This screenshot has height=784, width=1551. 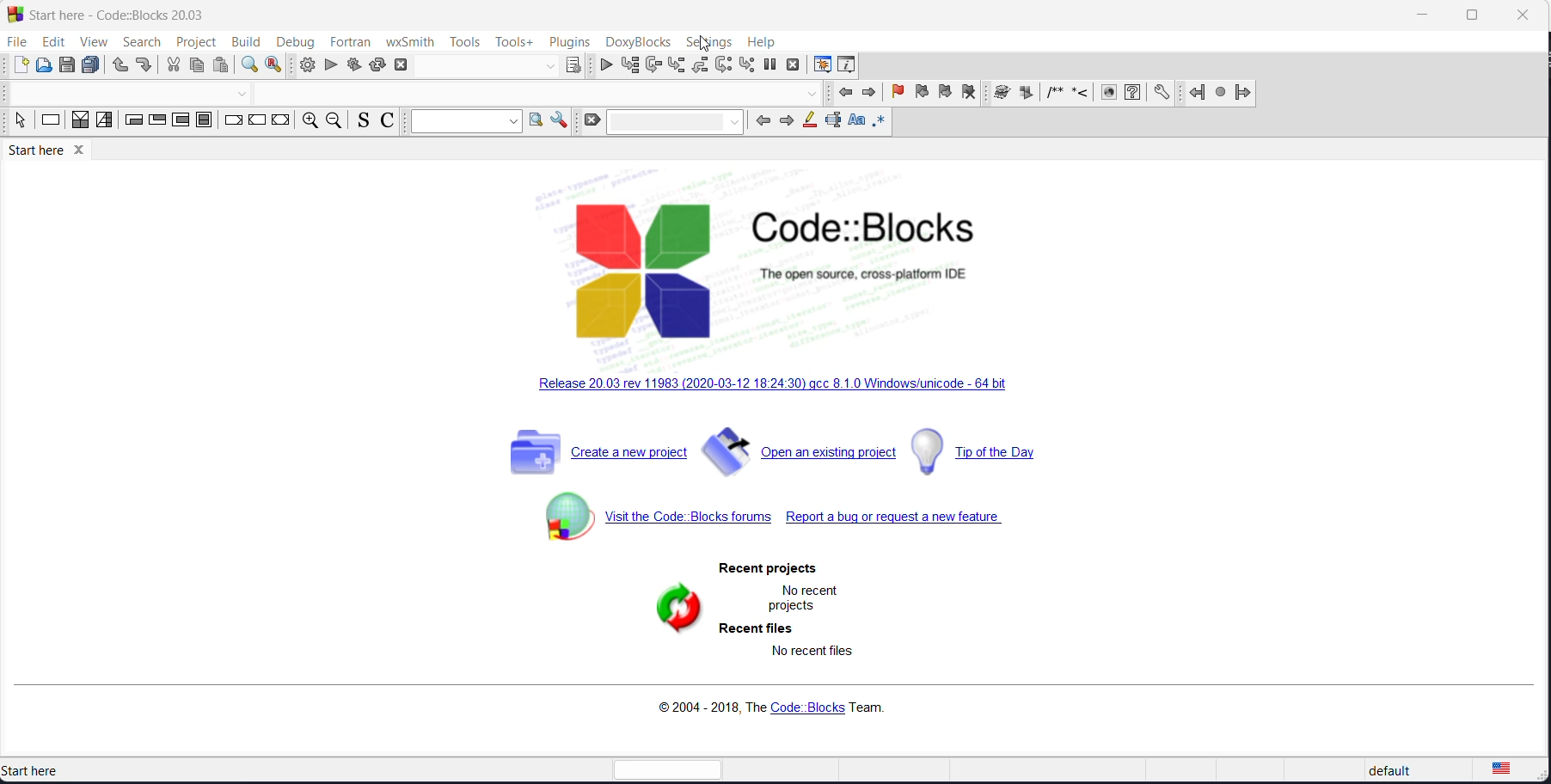 What do you see at coordinates (573, 64) in the screenshot?
I see `target dialog` at bounding box center [573, 64].